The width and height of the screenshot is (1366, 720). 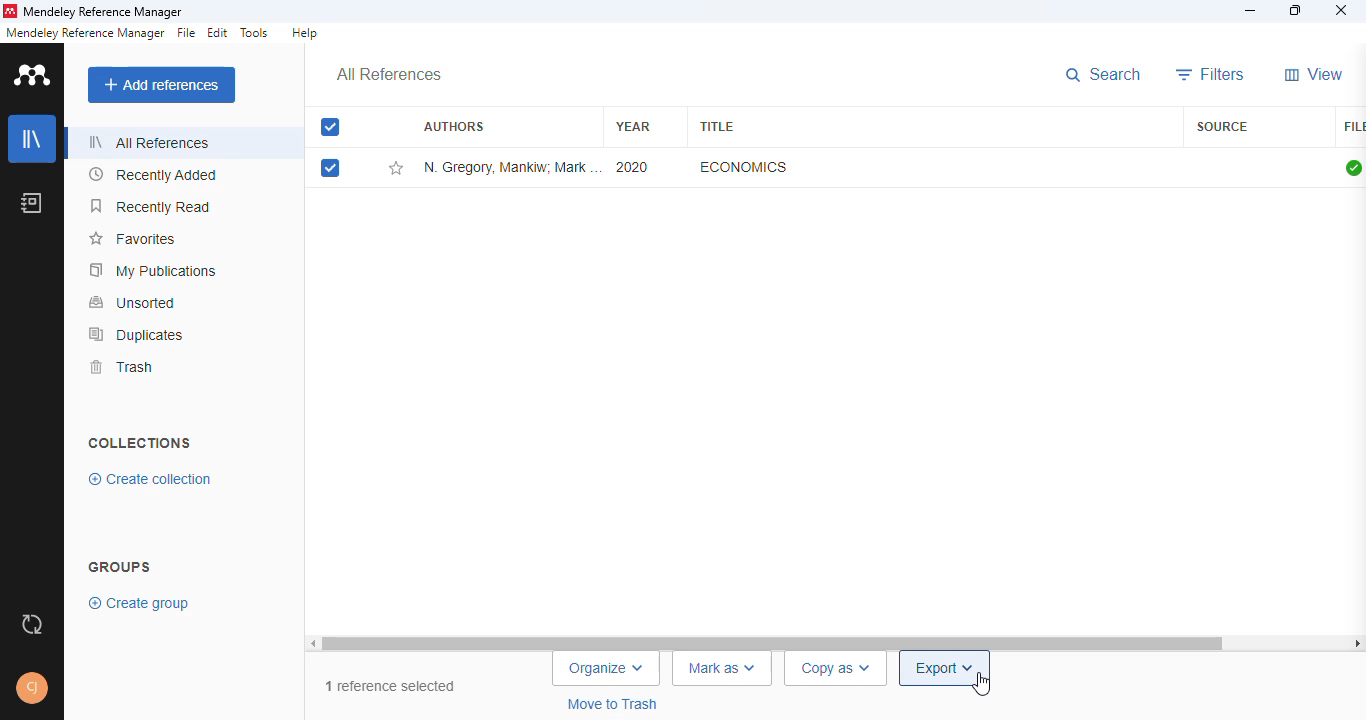 I want to click on organize, so click(x=606, y=668).